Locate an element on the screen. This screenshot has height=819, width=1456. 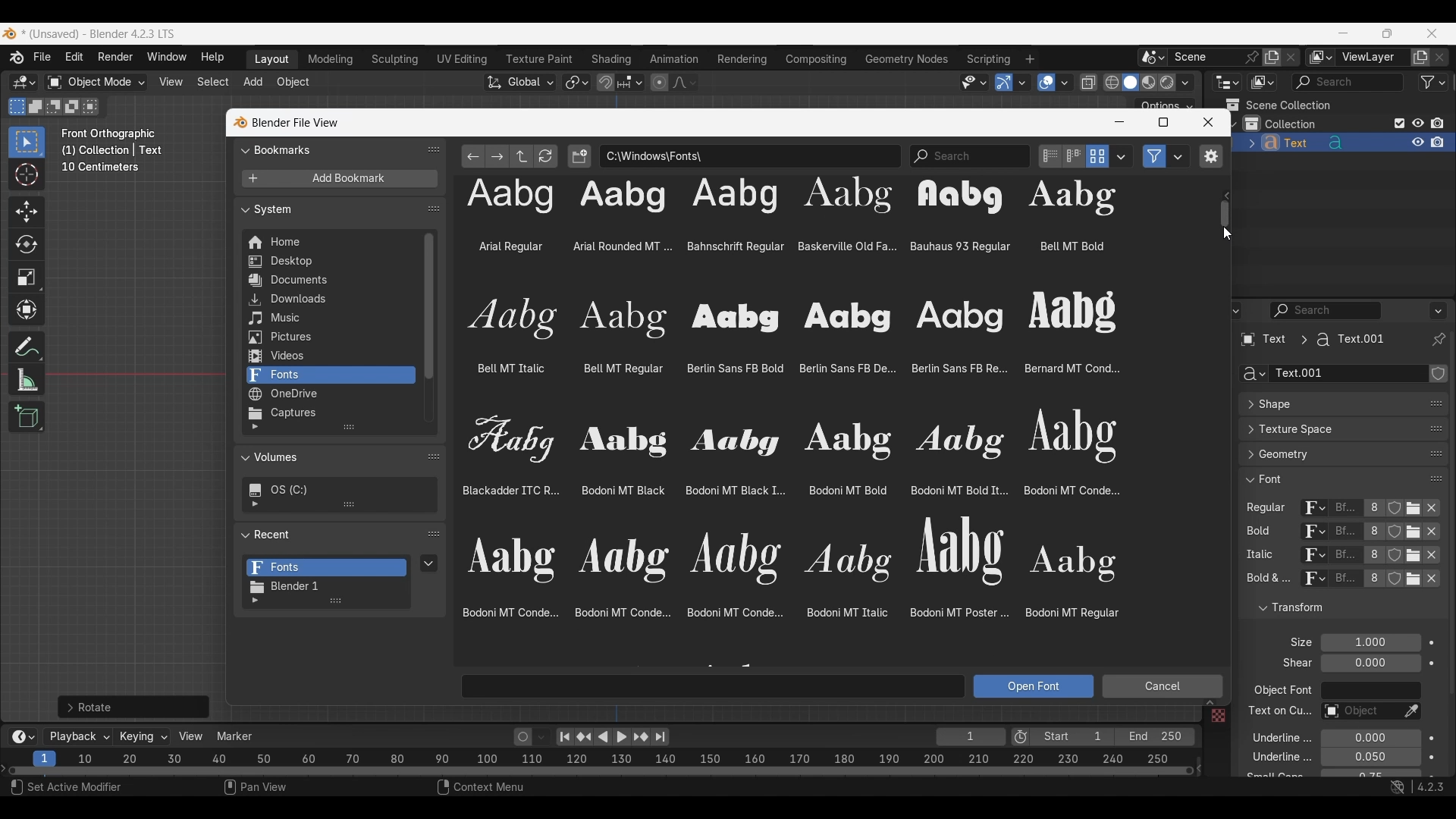
Collapse Volumes is located at coordinates (325, 458).